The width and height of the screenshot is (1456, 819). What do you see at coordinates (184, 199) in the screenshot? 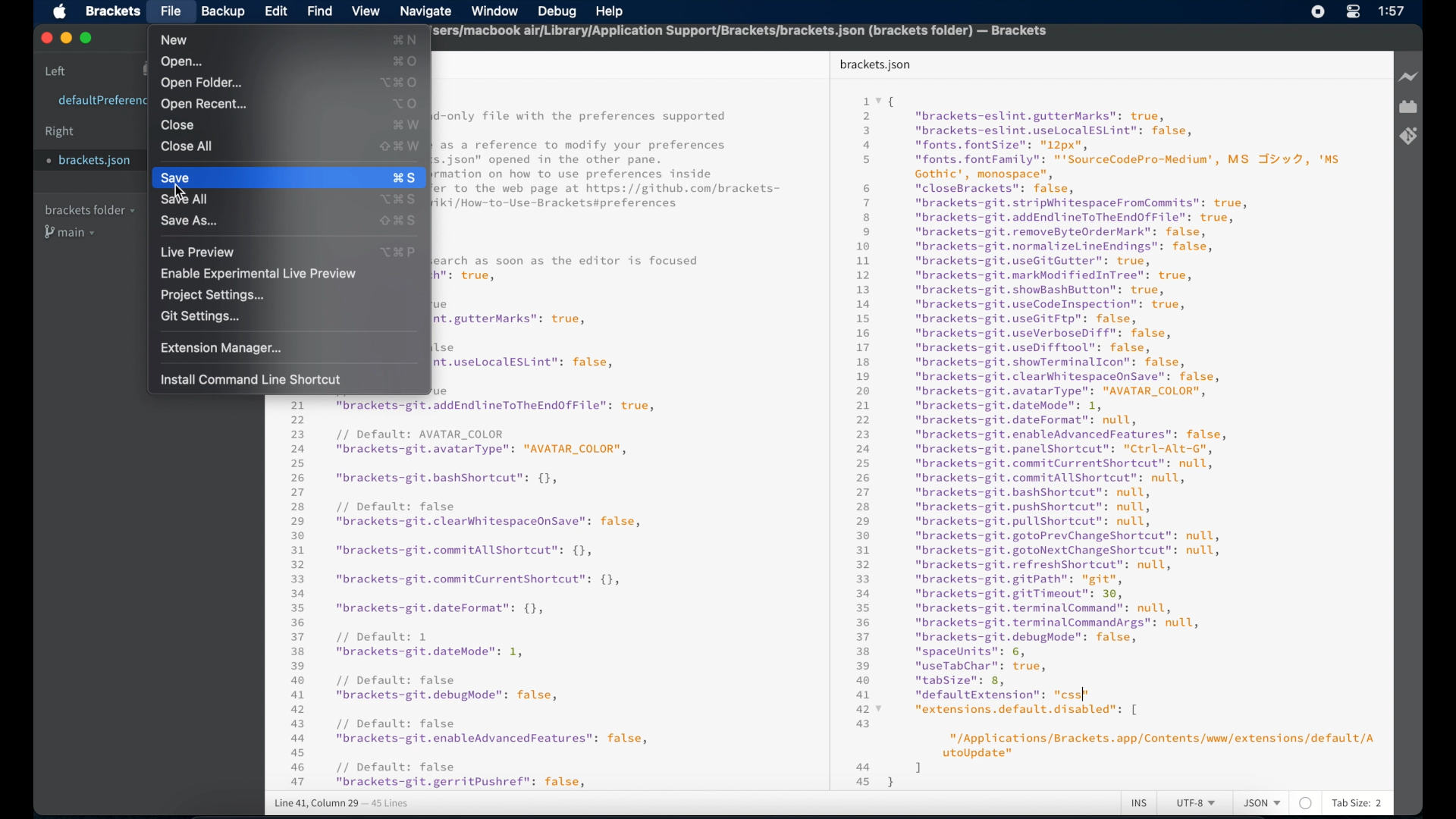
I see `save all` at bounding box center [184, 199].